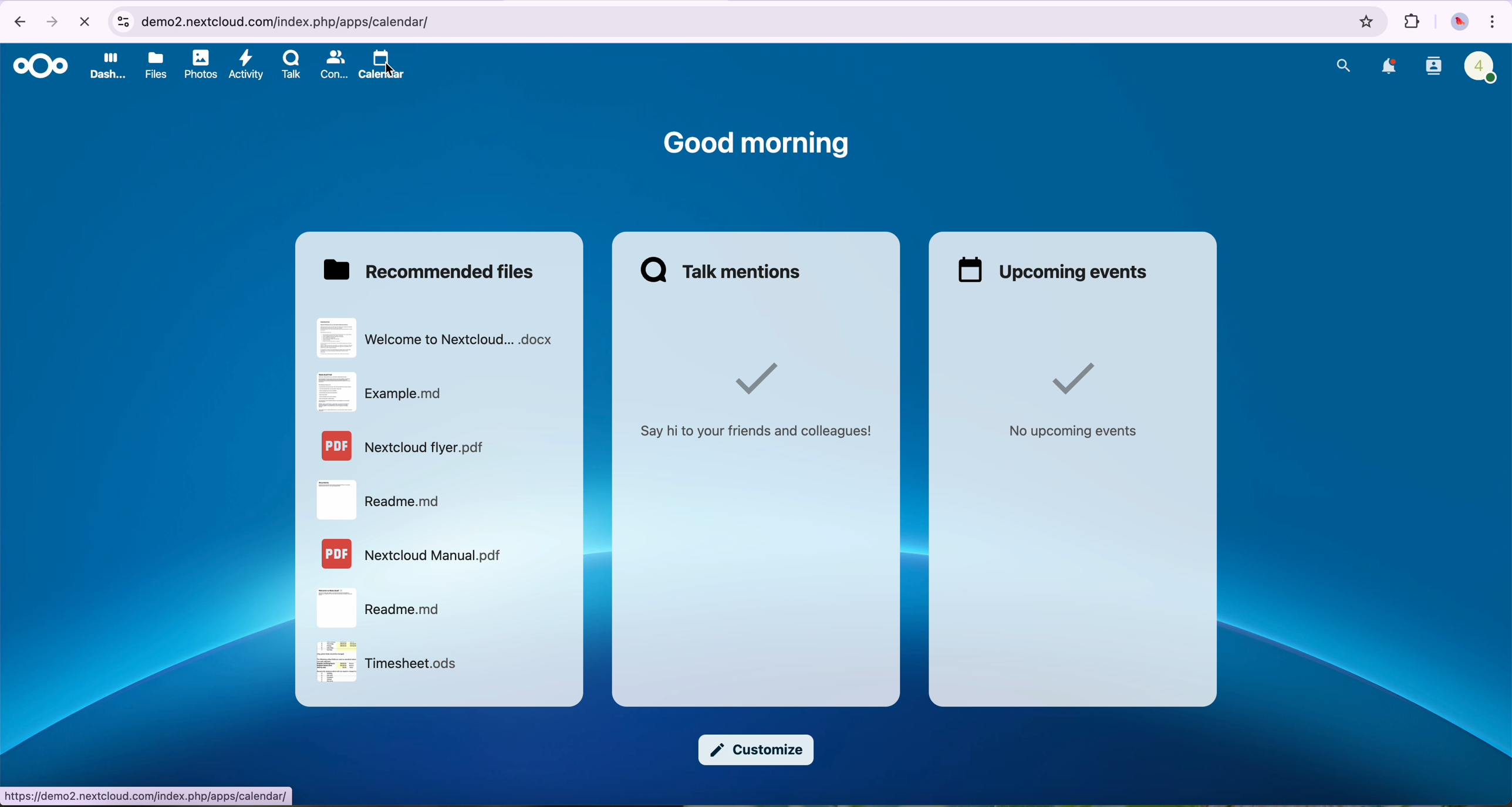  What do you see at coordinates (381, 67) in the screenshot?
I see `click on calendar` at bounding box center [381, 67].